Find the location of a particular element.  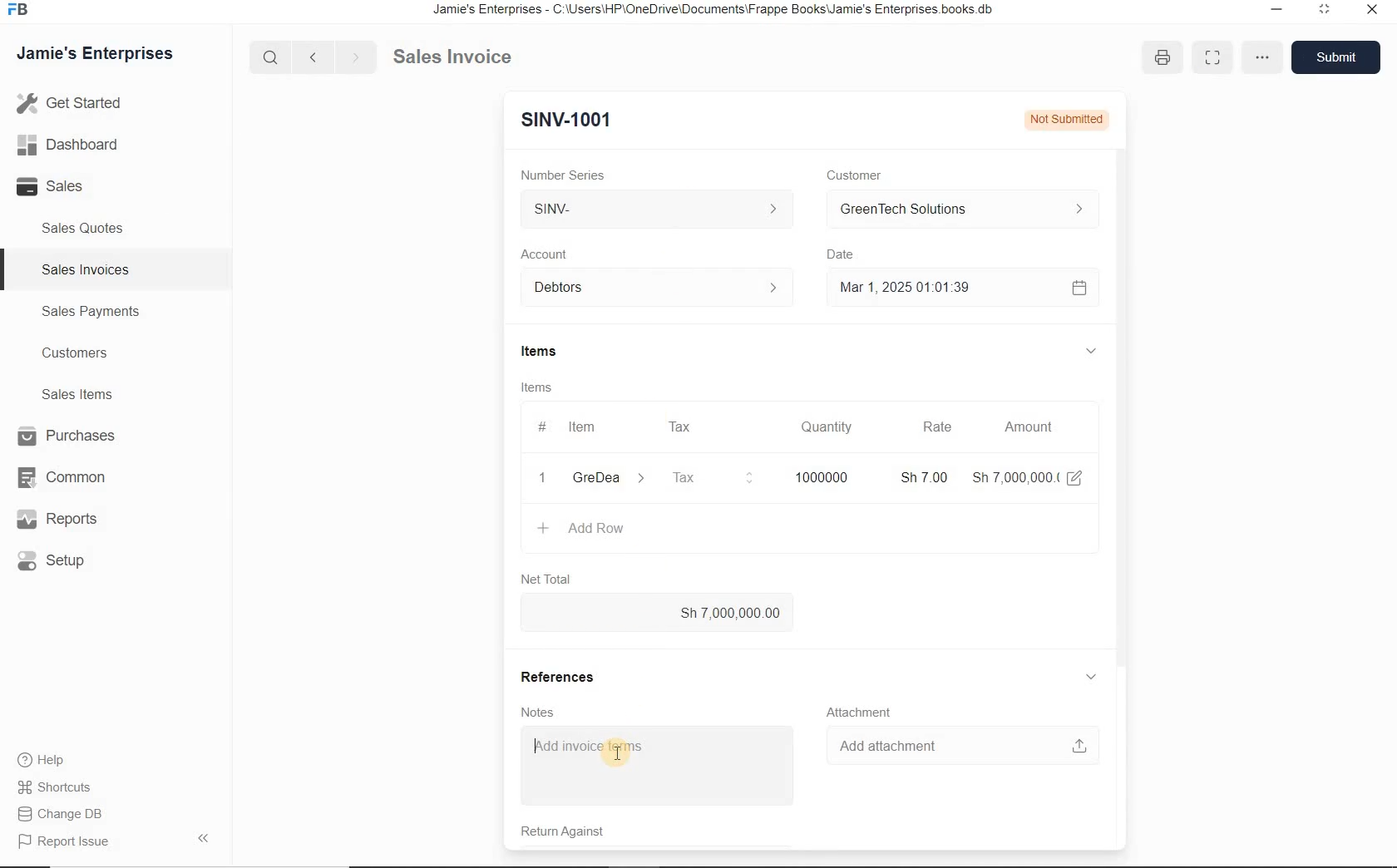

Sales Quotes is located at coordinates (84, 231).